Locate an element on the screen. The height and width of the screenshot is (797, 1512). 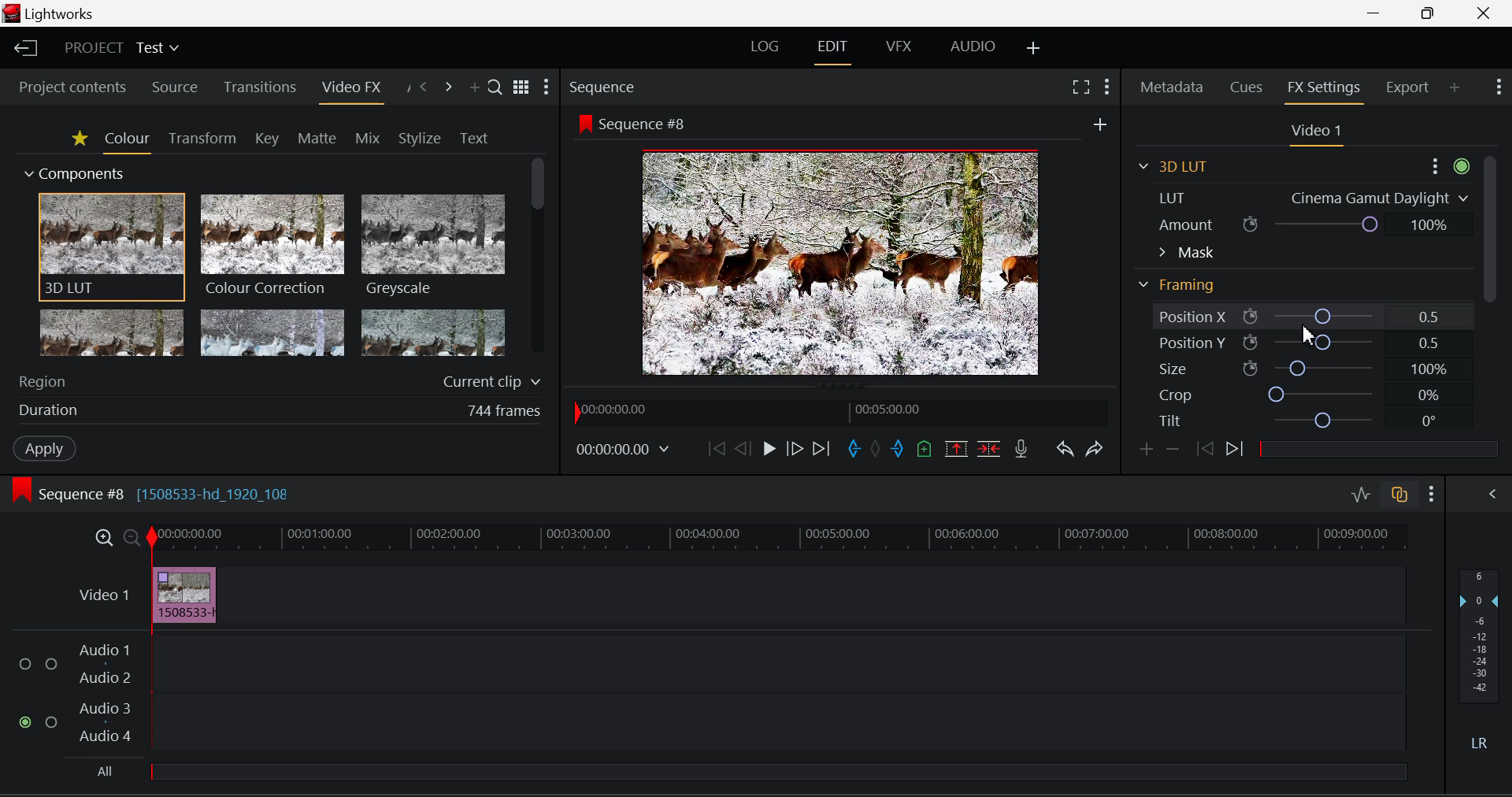
All is located at coordinates (750, 770).